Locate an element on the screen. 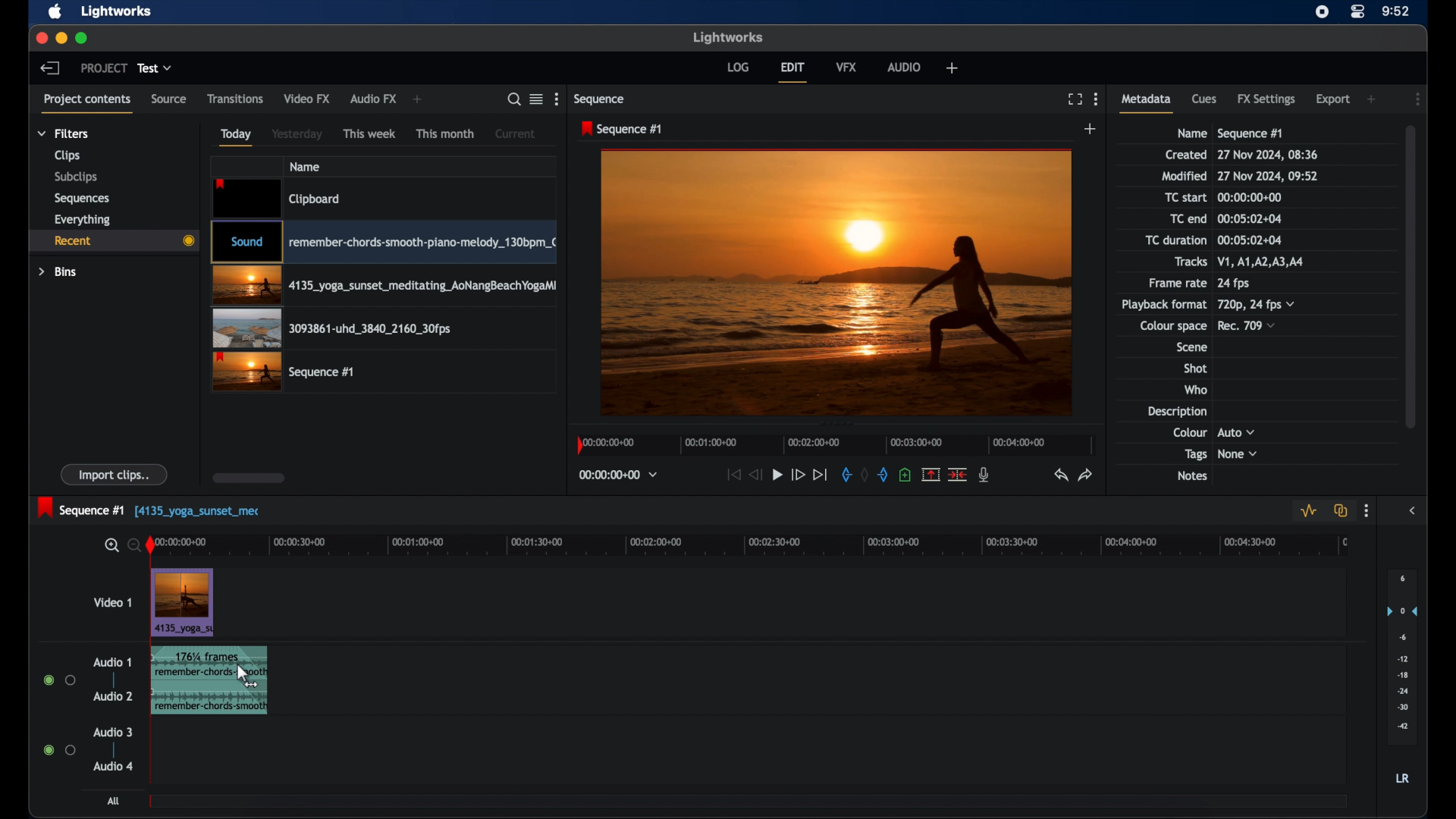  more options is located at coordinates (556, 99).